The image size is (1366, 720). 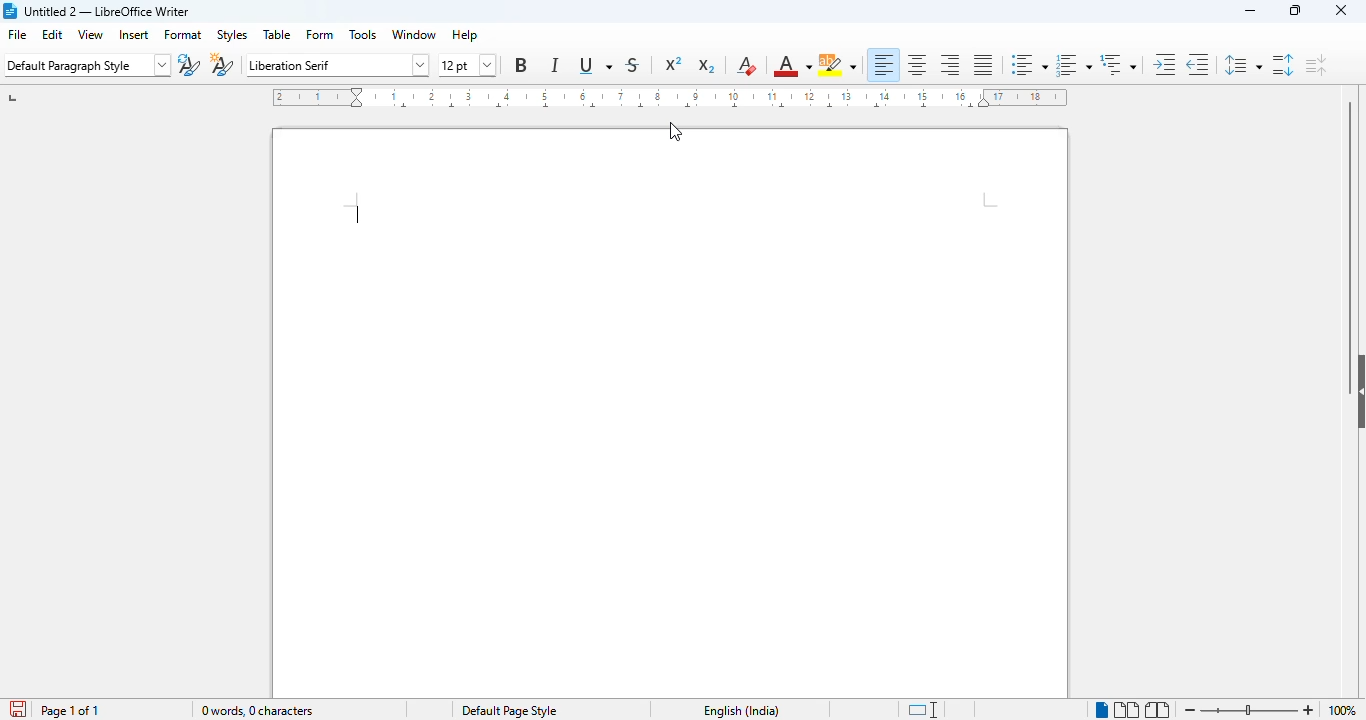 I want to click on page margin increased, so click(x=993, y=200).